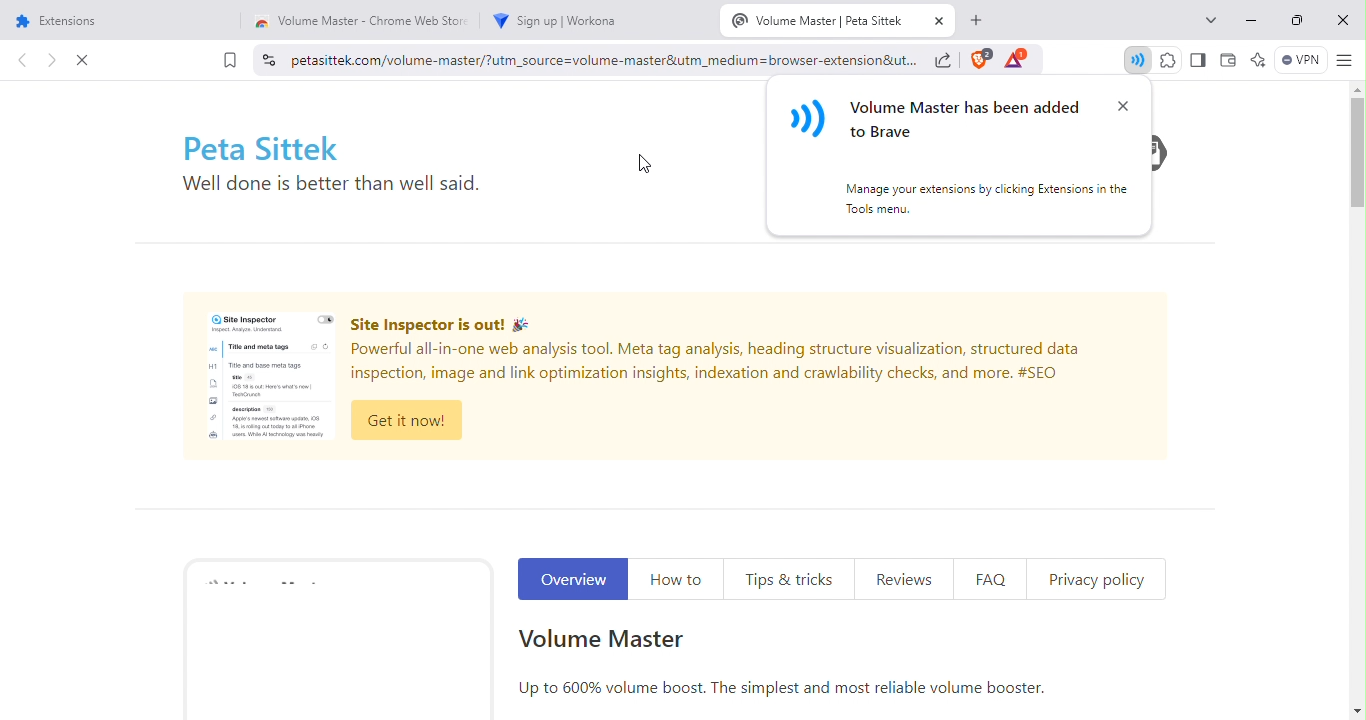  What do you see at coordinates (20, 60) in the screenshot?
I see `click to go back ` at bounding box center [20, 60].